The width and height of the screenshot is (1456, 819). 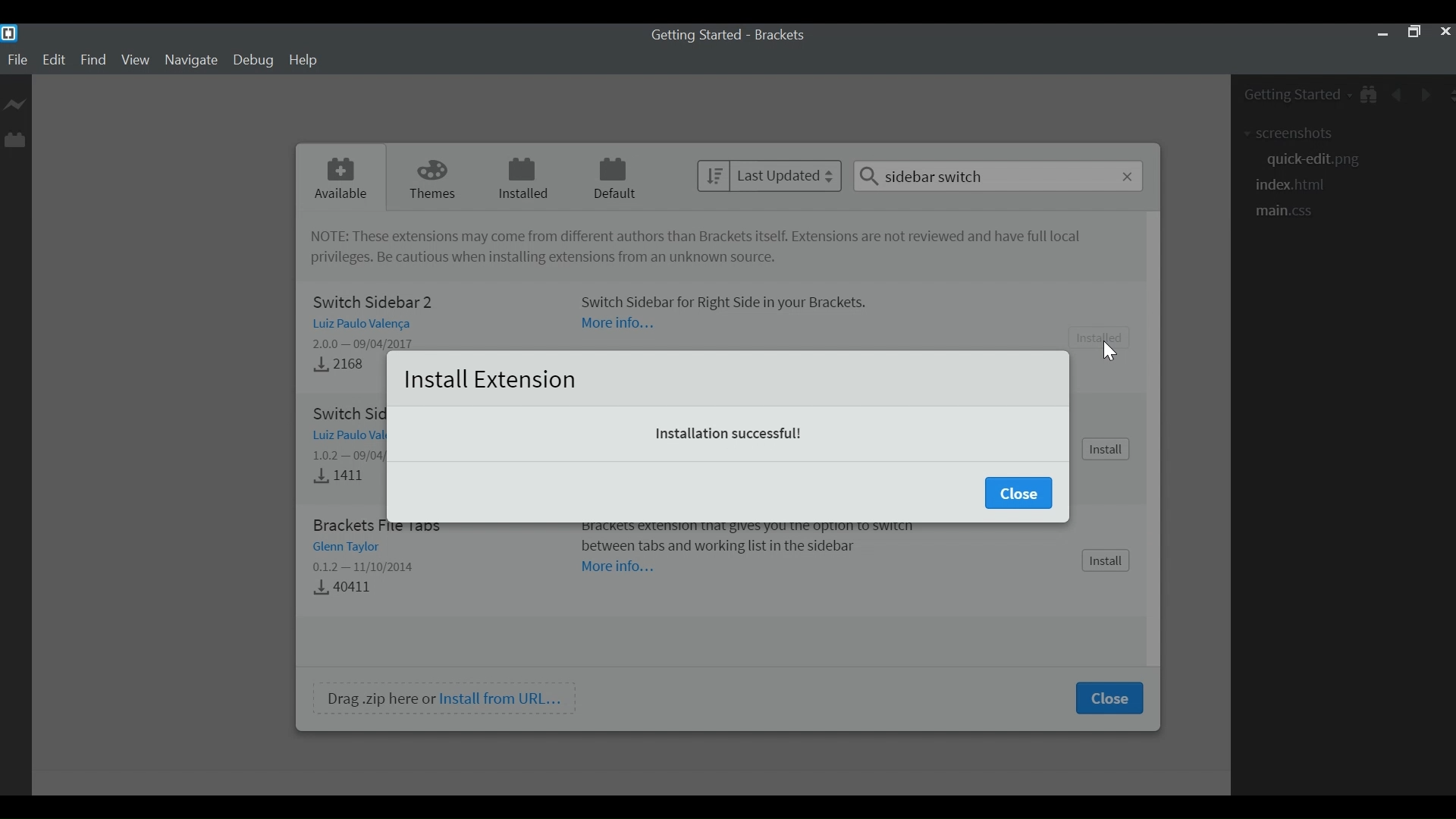 I want to click on index.html, so click(x=1291, y=185).